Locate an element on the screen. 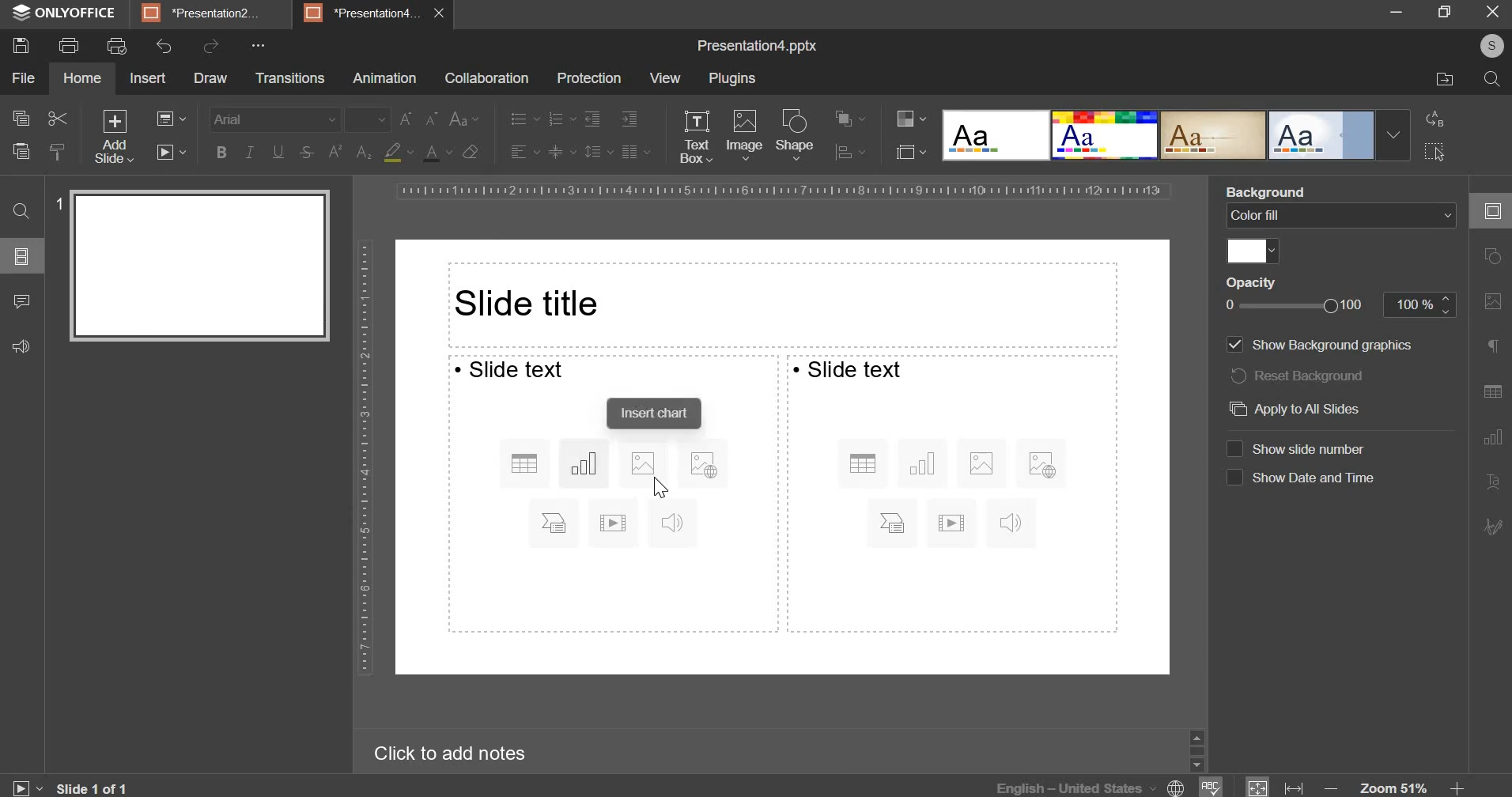 The height and width of the screenshot is (797, 1512). opacity slider is located at coordinates (1297, 306).